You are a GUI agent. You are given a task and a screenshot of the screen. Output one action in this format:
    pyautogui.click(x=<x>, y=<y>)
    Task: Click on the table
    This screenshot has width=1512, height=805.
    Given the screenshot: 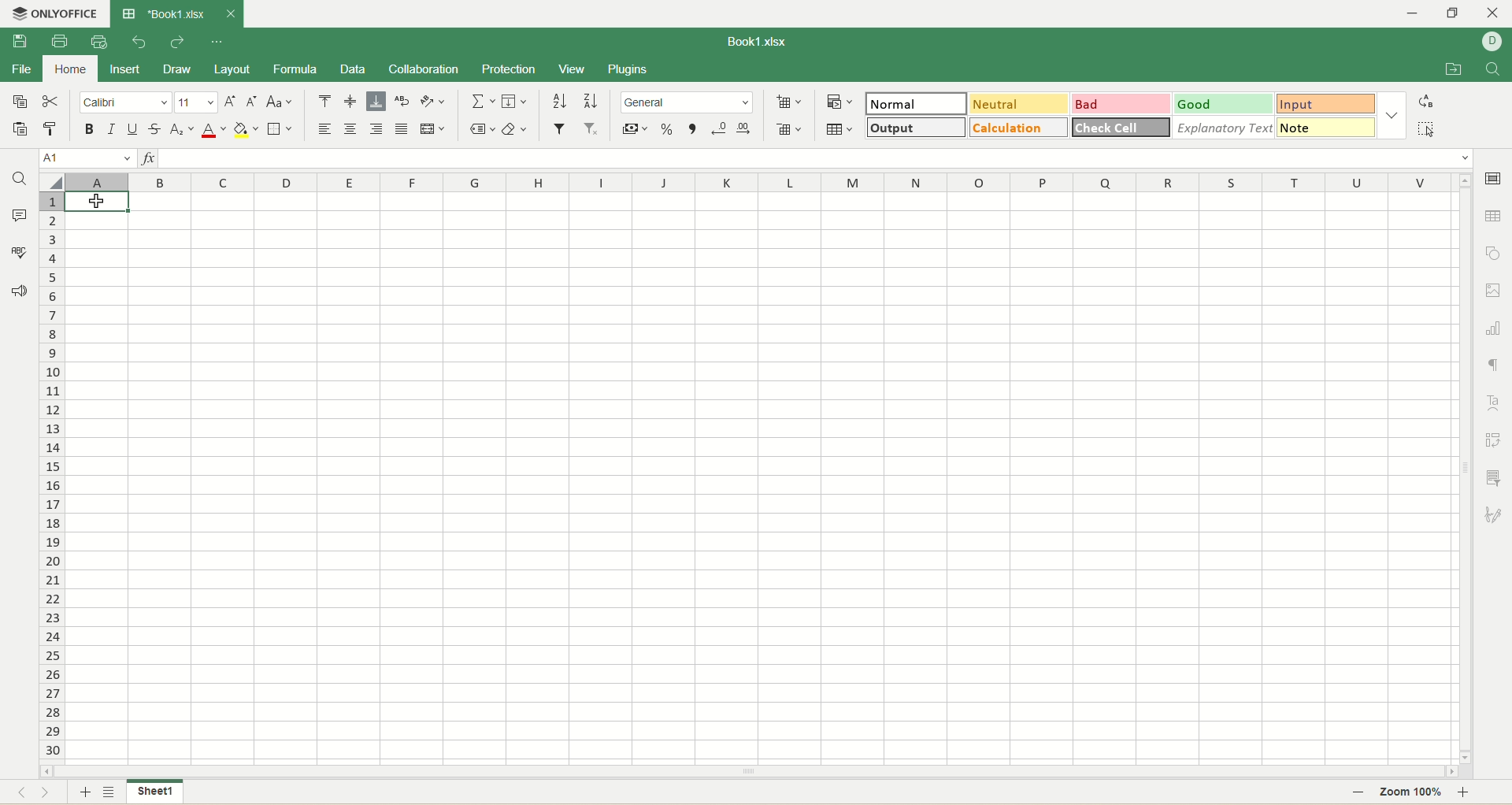 What is the action you would take?
    pyautogui.click(x=843, y=129)
    